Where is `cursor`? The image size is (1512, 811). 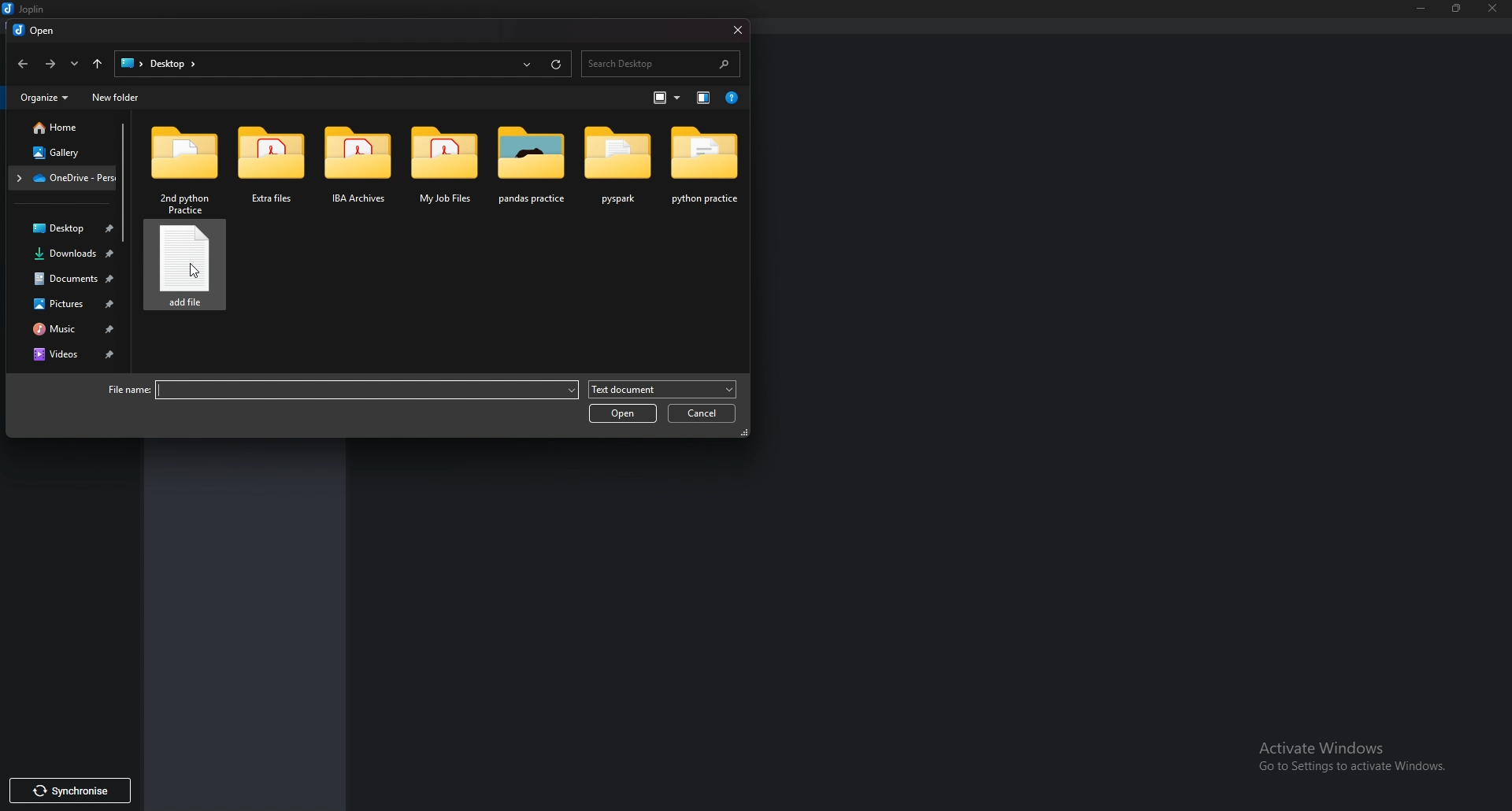 cursor is located at coordinates (195, 273).